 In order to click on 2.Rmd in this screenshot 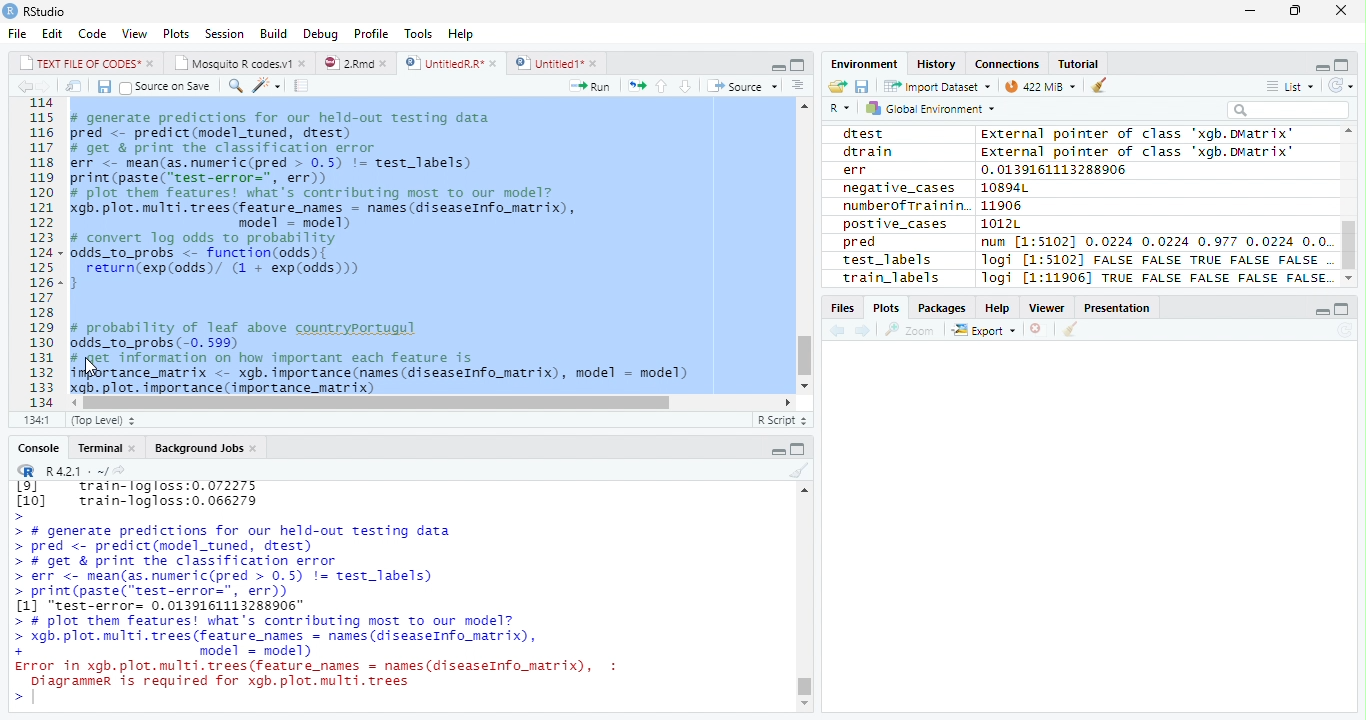, I will do `click(356, 63)`.